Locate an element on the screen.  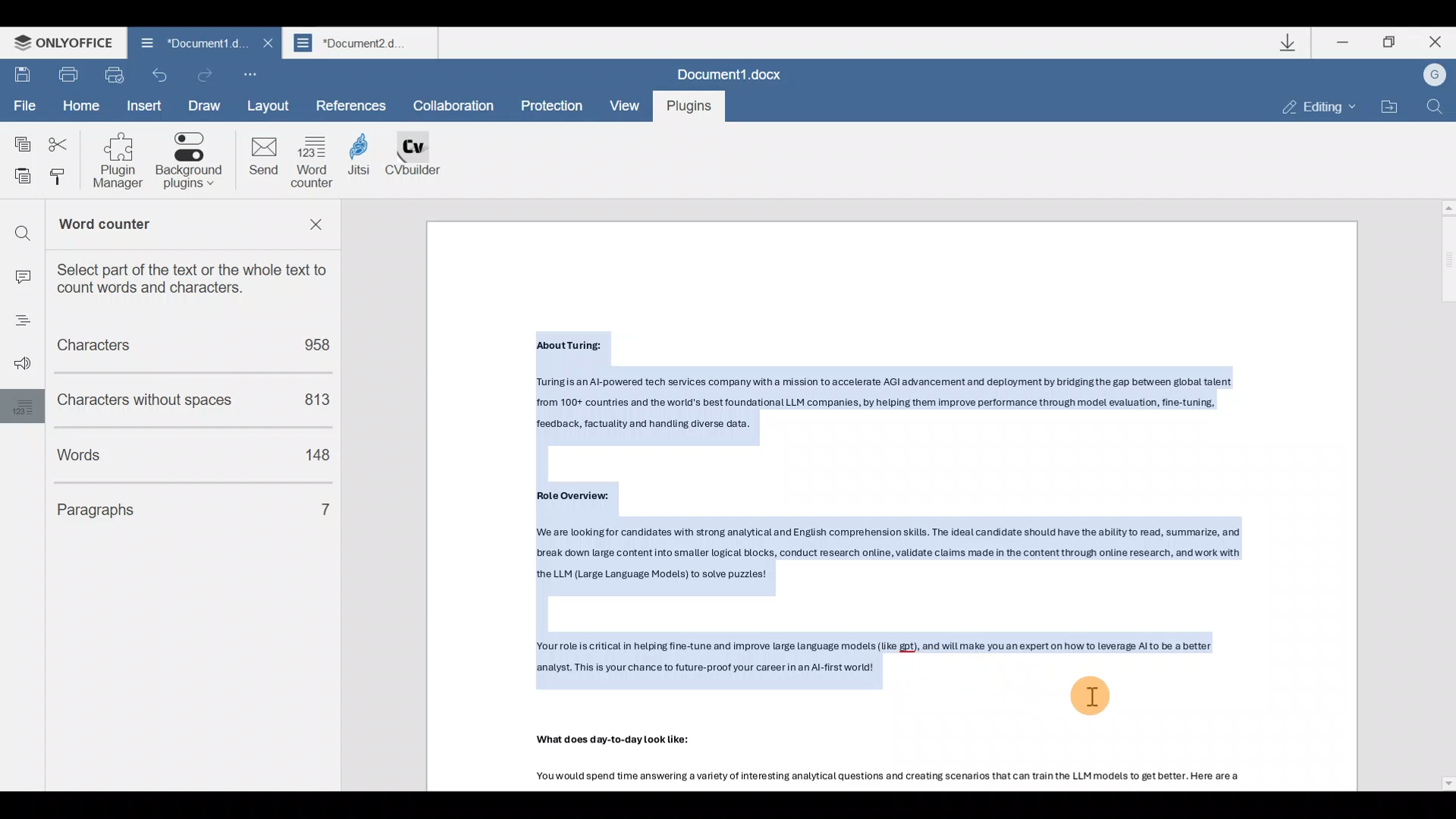
search is located at coordinates (22, 227).